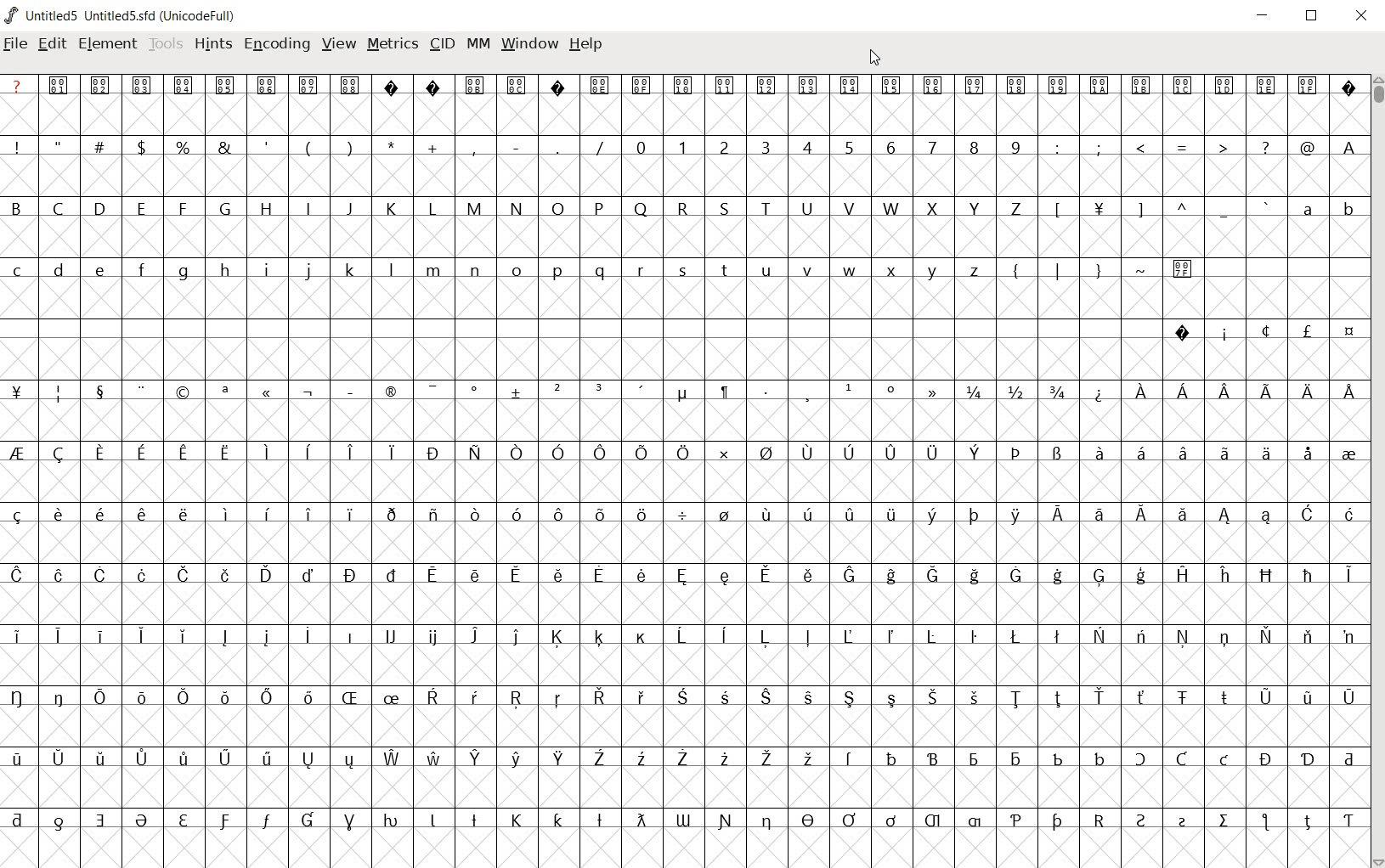 Image resolution: width=1385 pixels, height=868 pixels. I want to click on Symbol, so click(810, 87).